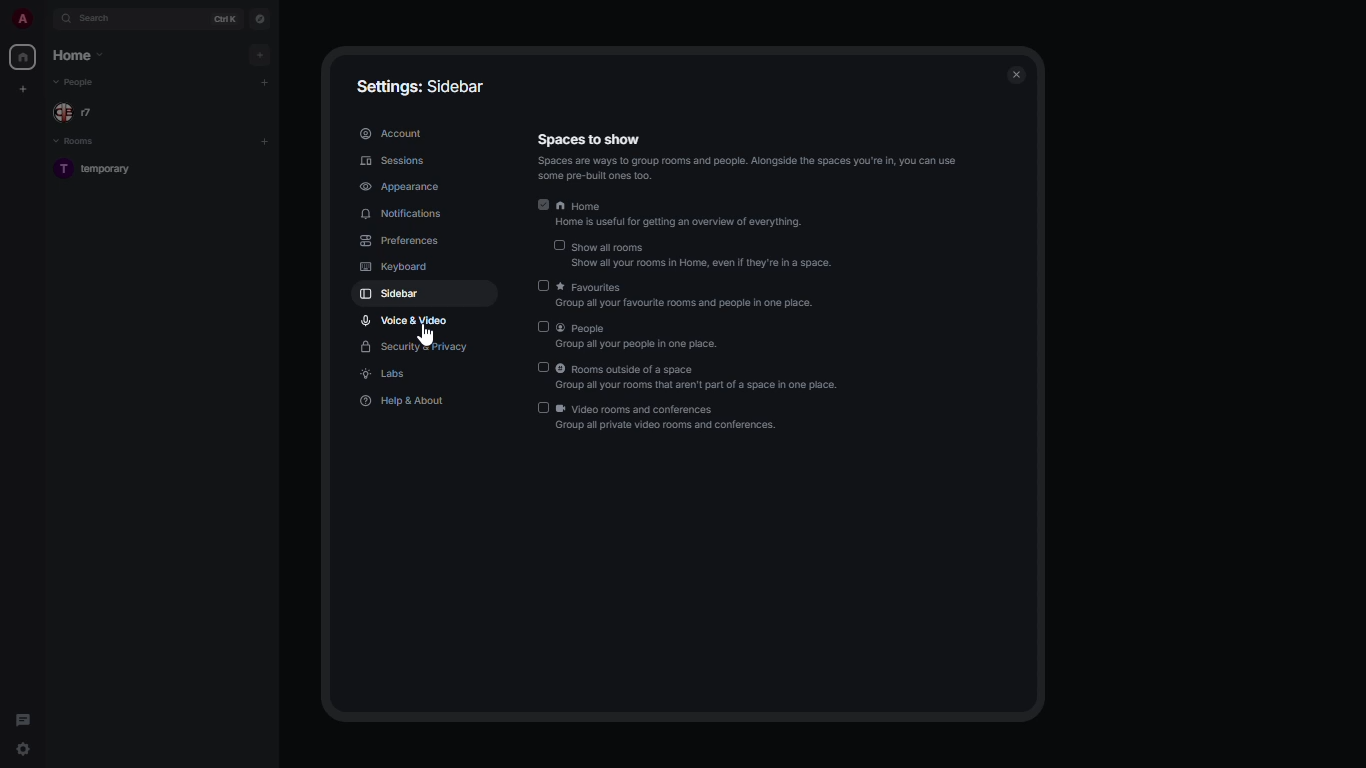  I want to click on threads, so click(25, 714).